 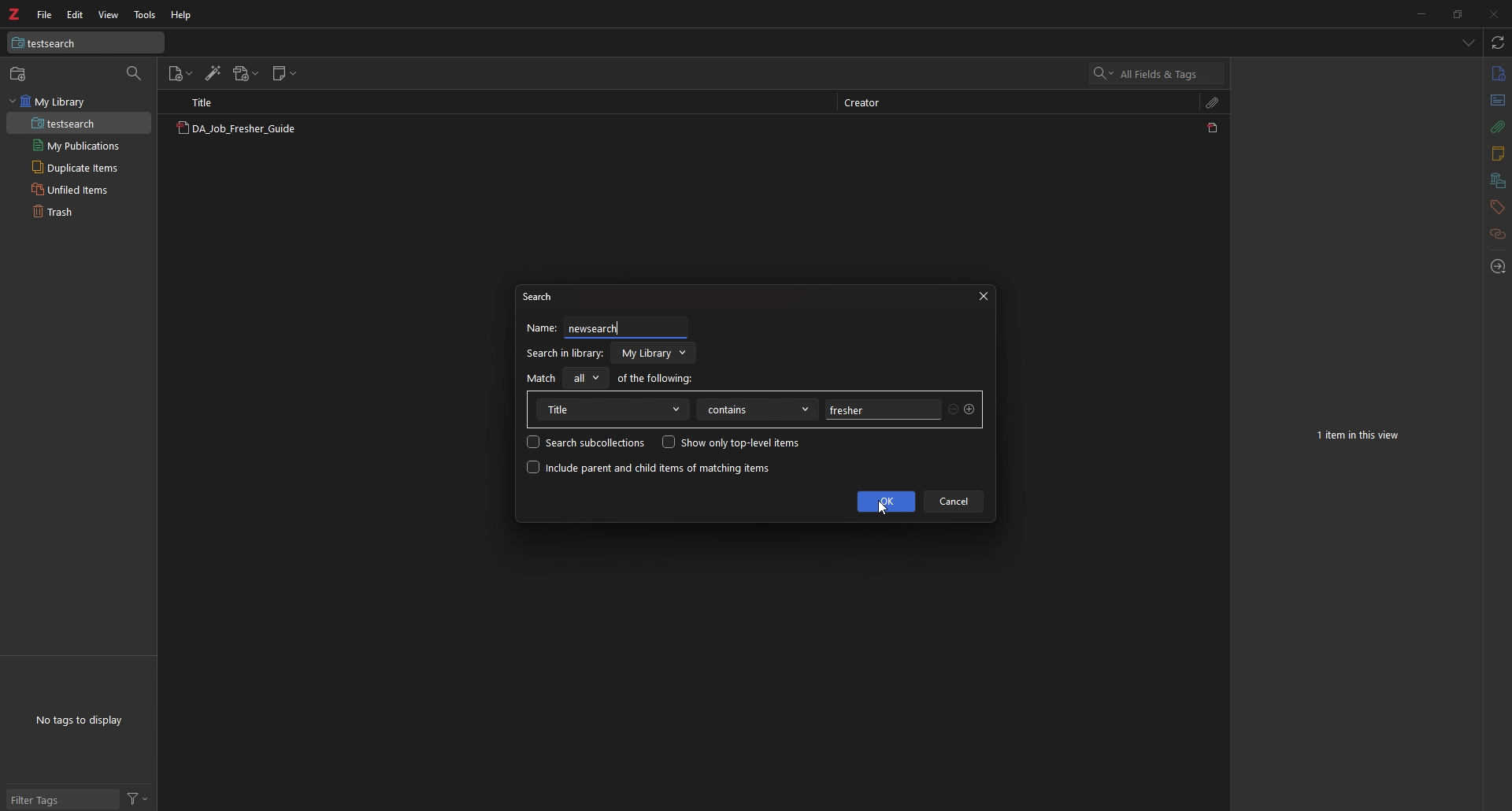 What do you see at coordinates (886, 502) in the screenshot?
I see `ok` at bounding box center [886, 502].